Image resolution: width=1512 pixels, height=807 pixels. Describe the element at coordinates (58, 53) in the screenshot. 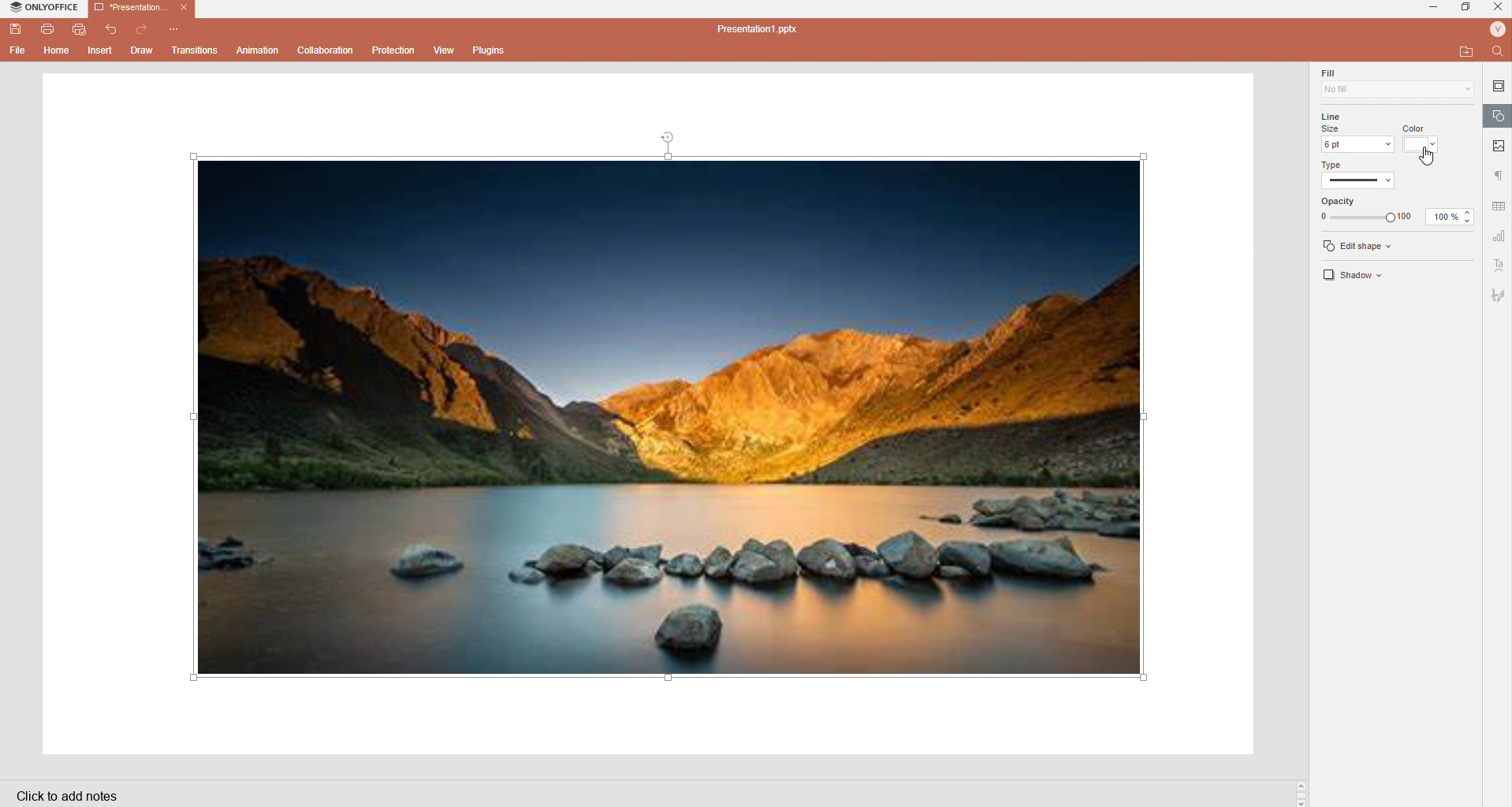

I see `Home` at that location.